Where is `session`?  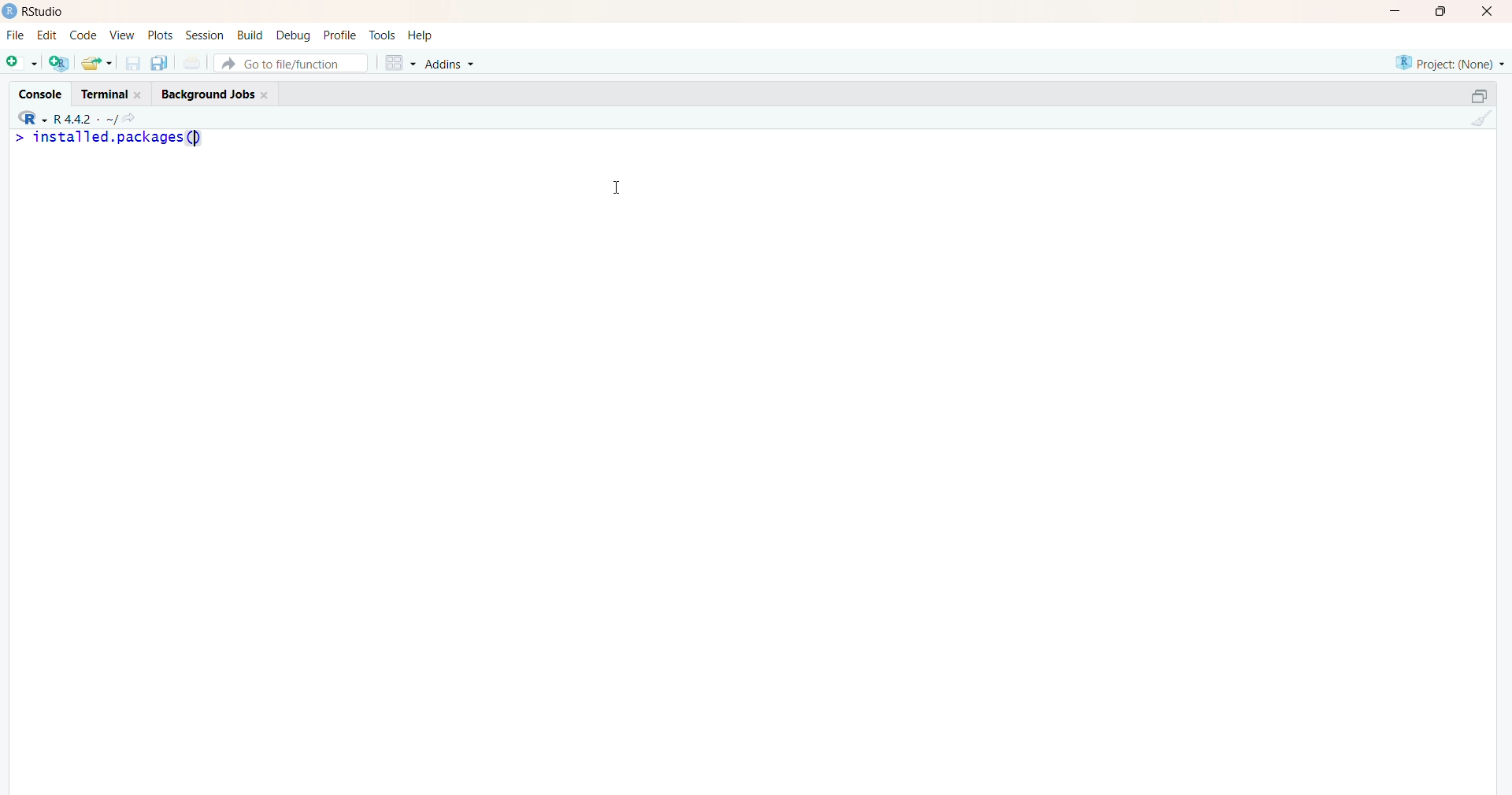 session is located at coordinates (205, 35).